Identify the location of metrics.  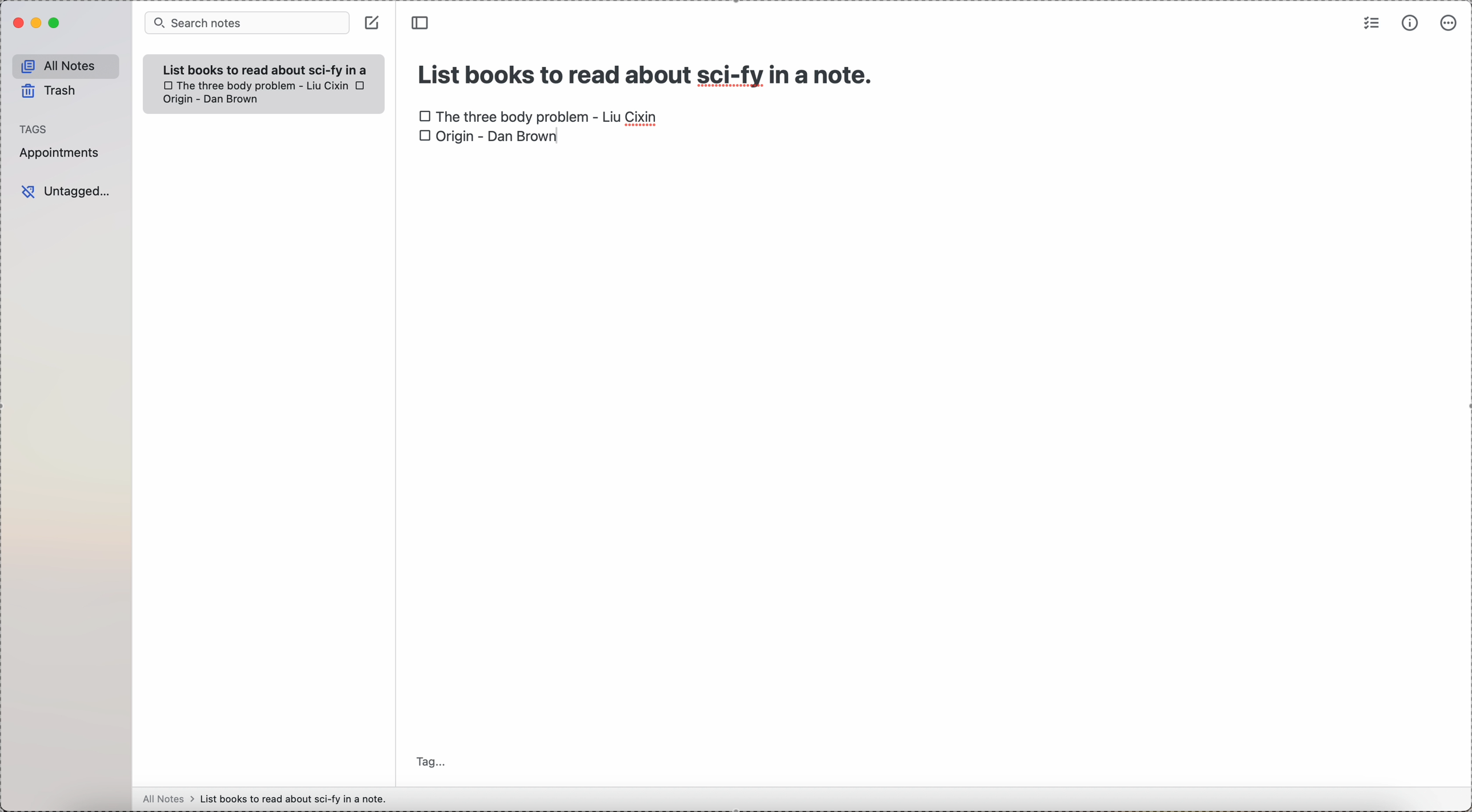
(1407, 23).